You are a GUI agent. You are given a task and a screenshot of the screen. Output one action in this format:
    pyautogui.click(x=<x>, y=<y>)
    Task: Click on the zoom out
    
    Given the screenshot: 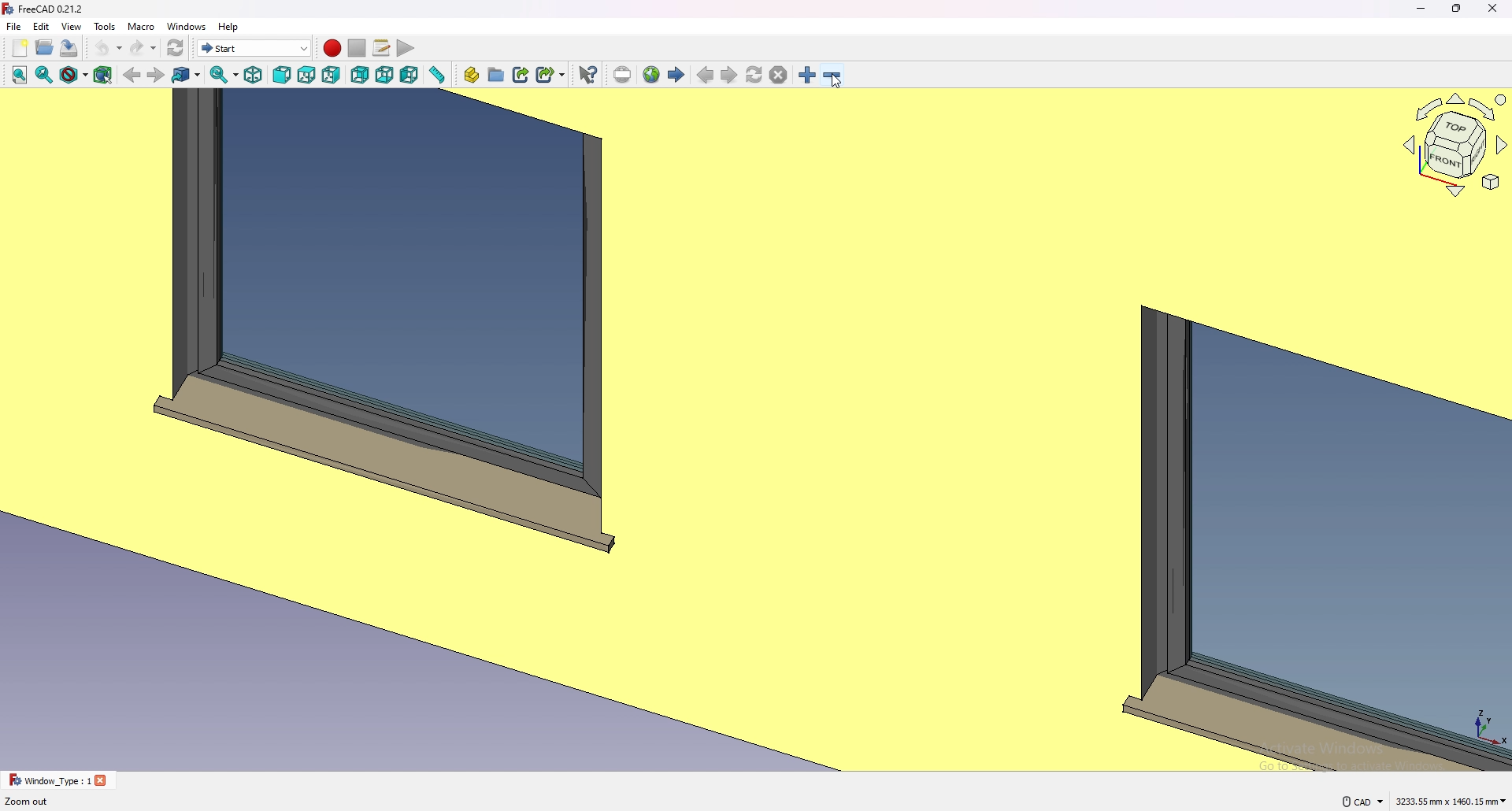 What is the action you would take?
    pyautogui.click(x=832, y=75)
    